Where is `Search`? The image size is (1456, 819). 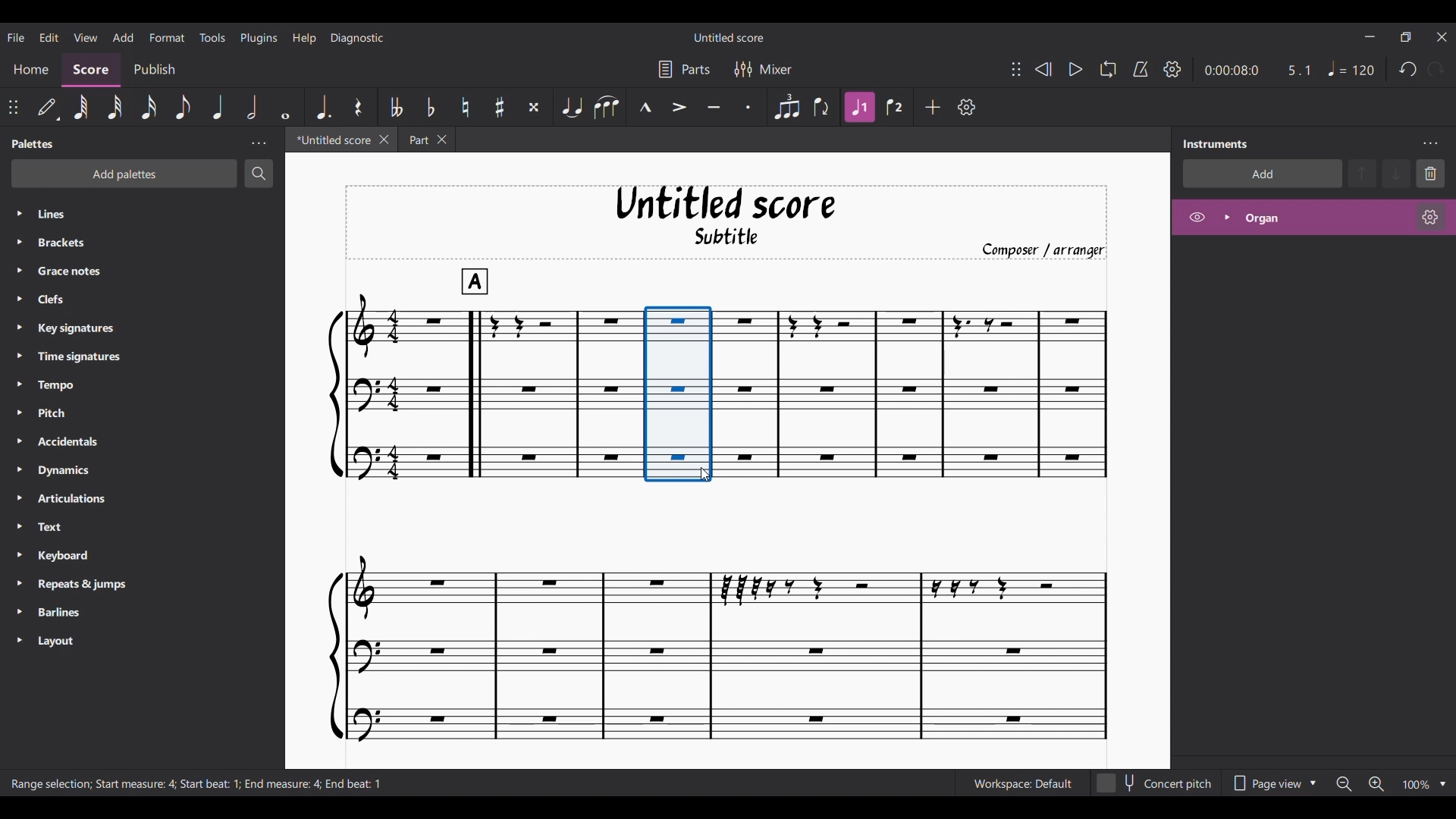
Search is located at coordinates (259, 174).